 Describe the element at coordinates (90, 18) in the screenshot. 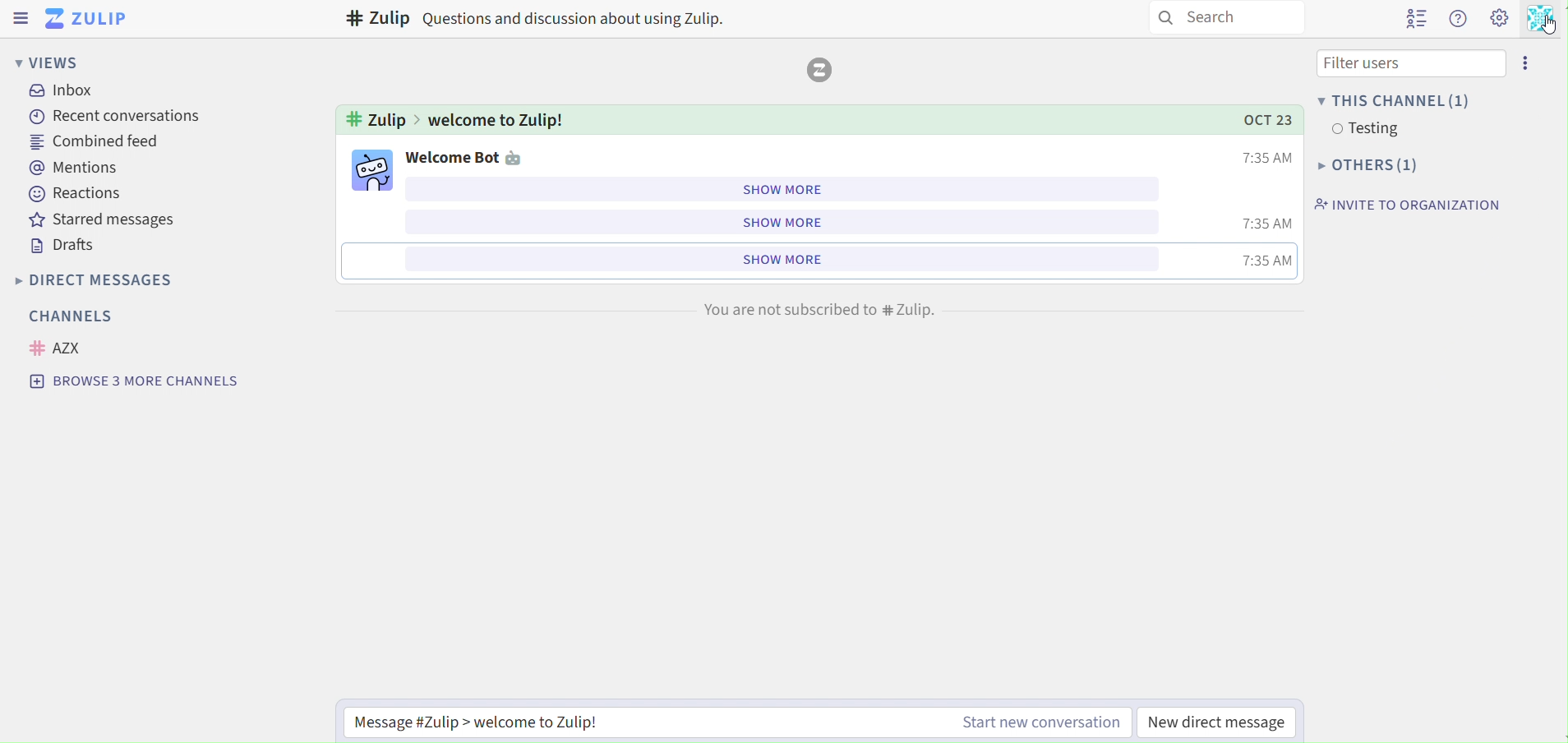

I see `zulip` at that location.